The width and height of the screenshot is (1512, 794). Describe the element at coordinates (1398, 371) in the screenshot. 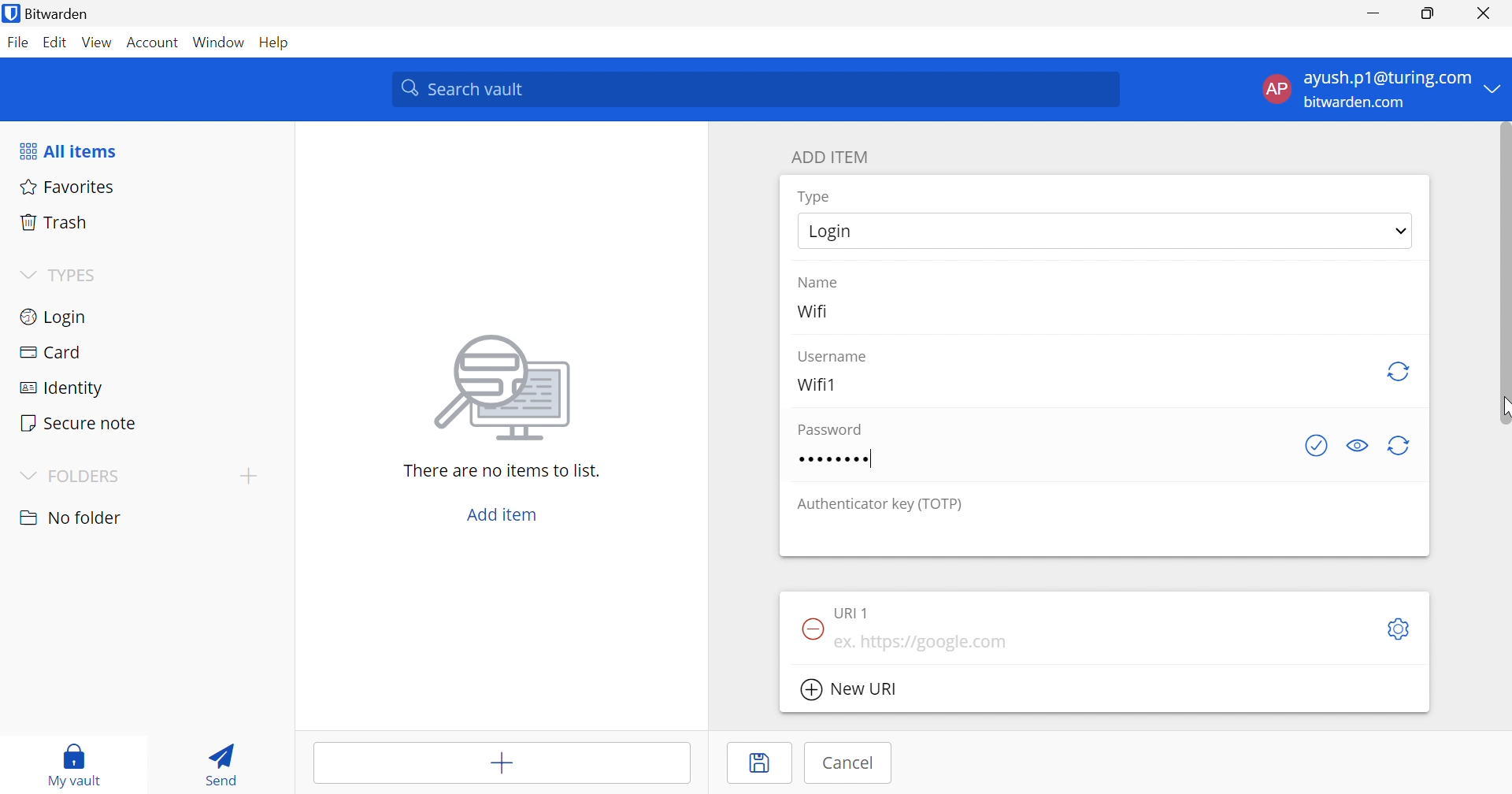

I see `Regenerate username` at that location.